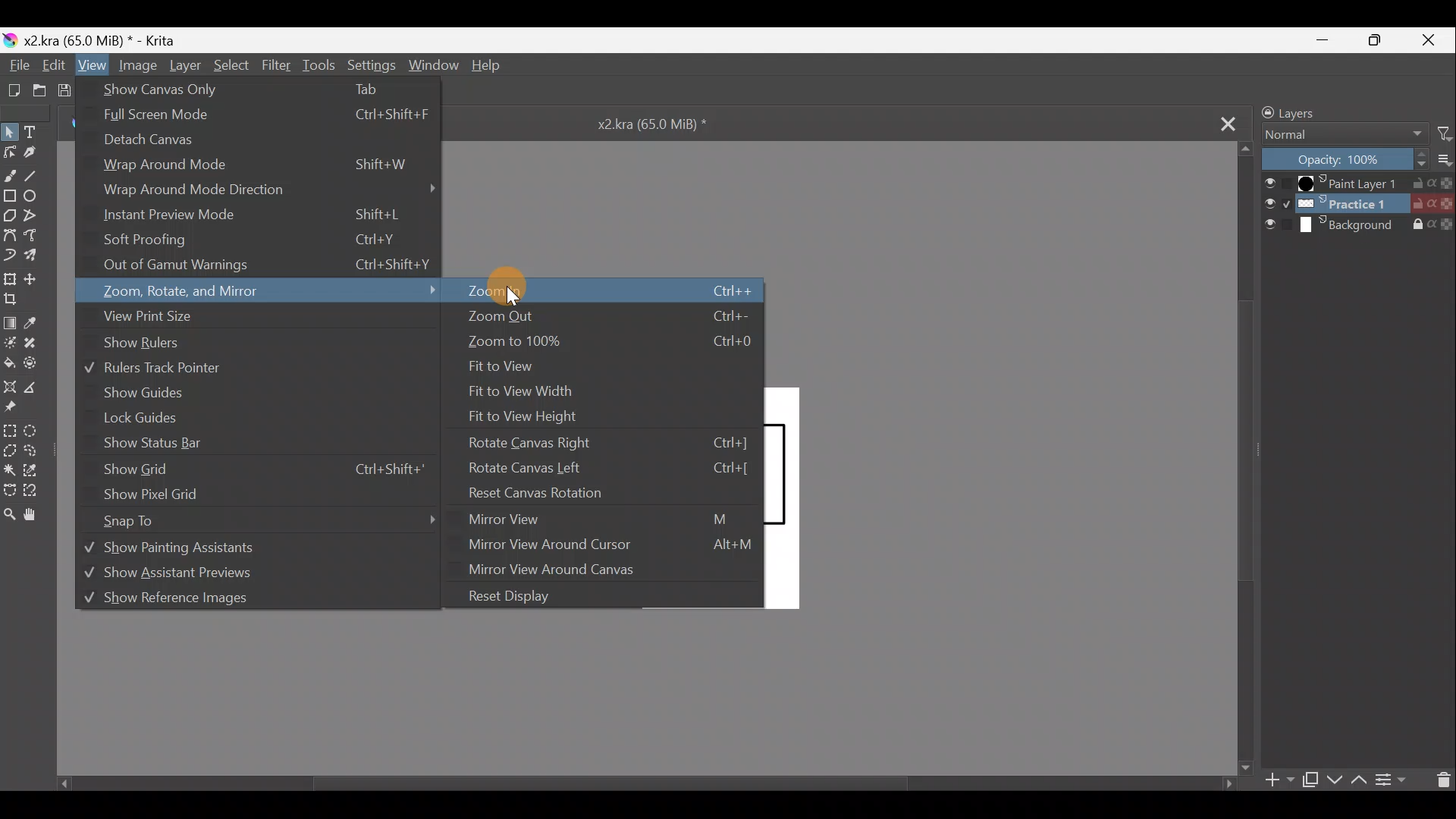  Describe the element at coordinates (33, 322) in the screenshot. I see `Sample a colour from the image/current layer` at that location.